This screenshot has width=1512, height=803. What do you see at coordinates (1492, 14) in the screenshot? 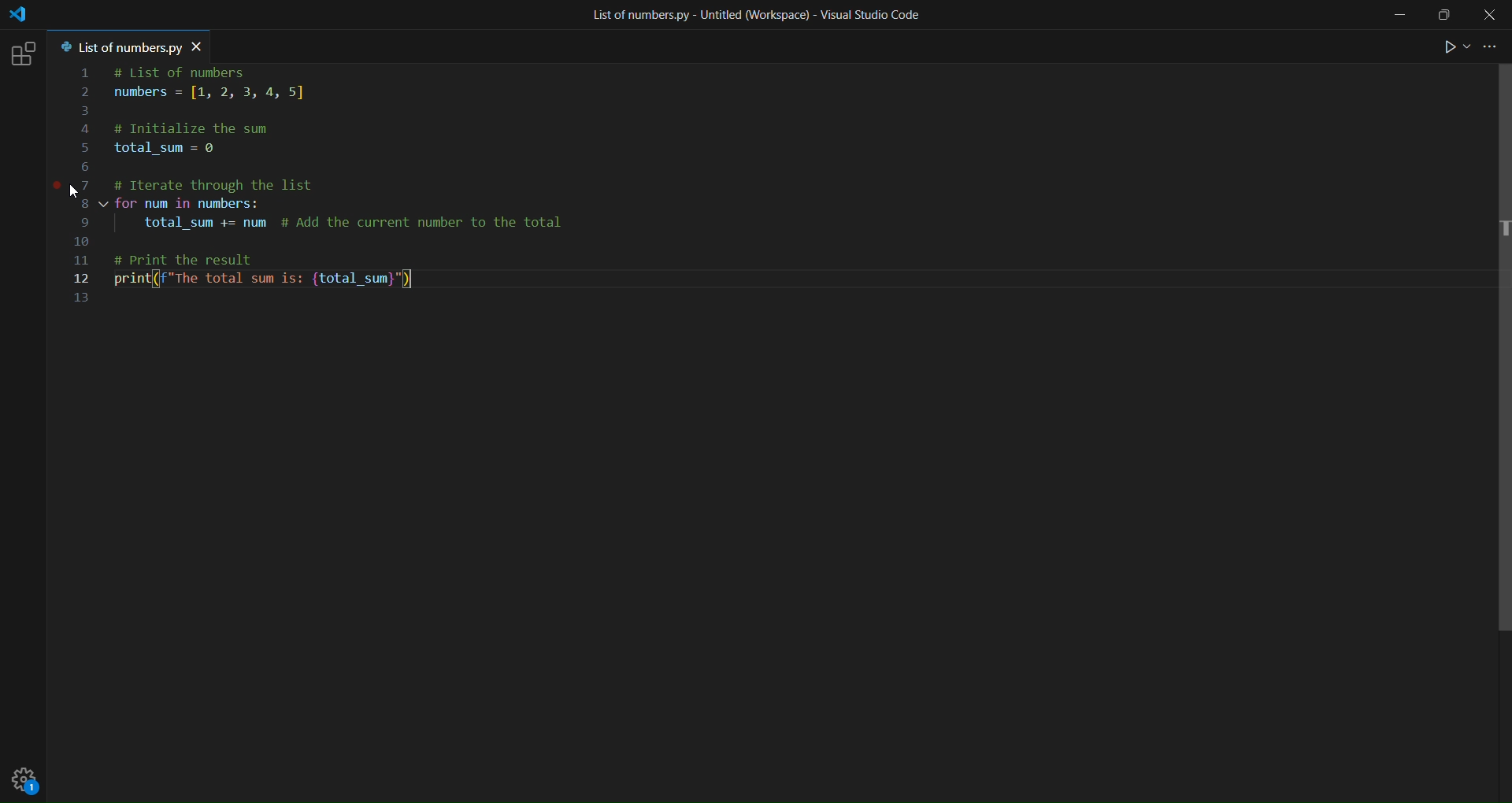
I see `close` at bounding box center [1492, 14].